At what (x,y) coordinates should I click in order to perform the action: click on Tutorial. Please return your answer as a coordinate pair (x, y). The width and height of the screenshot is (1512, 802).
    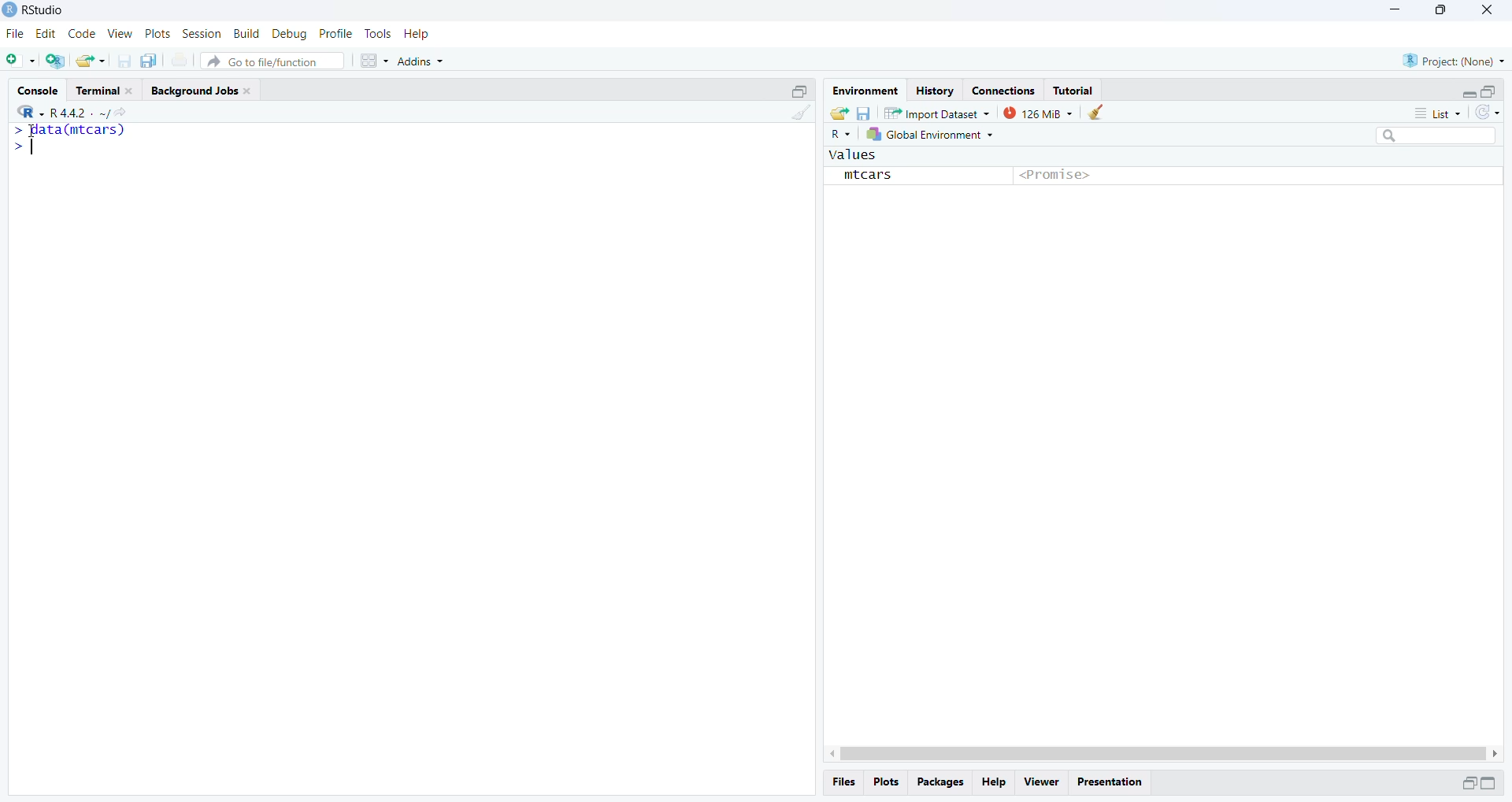
    Looking at the image, I should click on (1074, 90).